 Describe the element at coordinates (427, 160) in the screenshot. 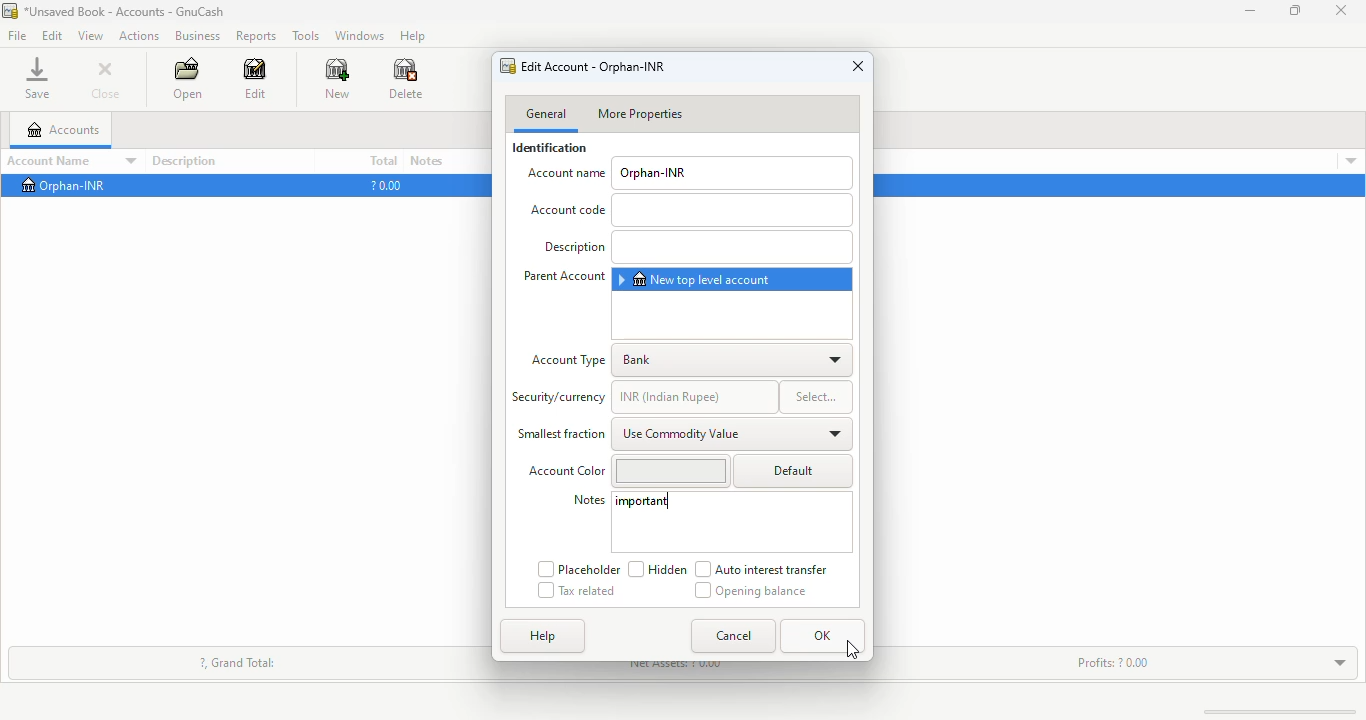

I see `notes` at that location.